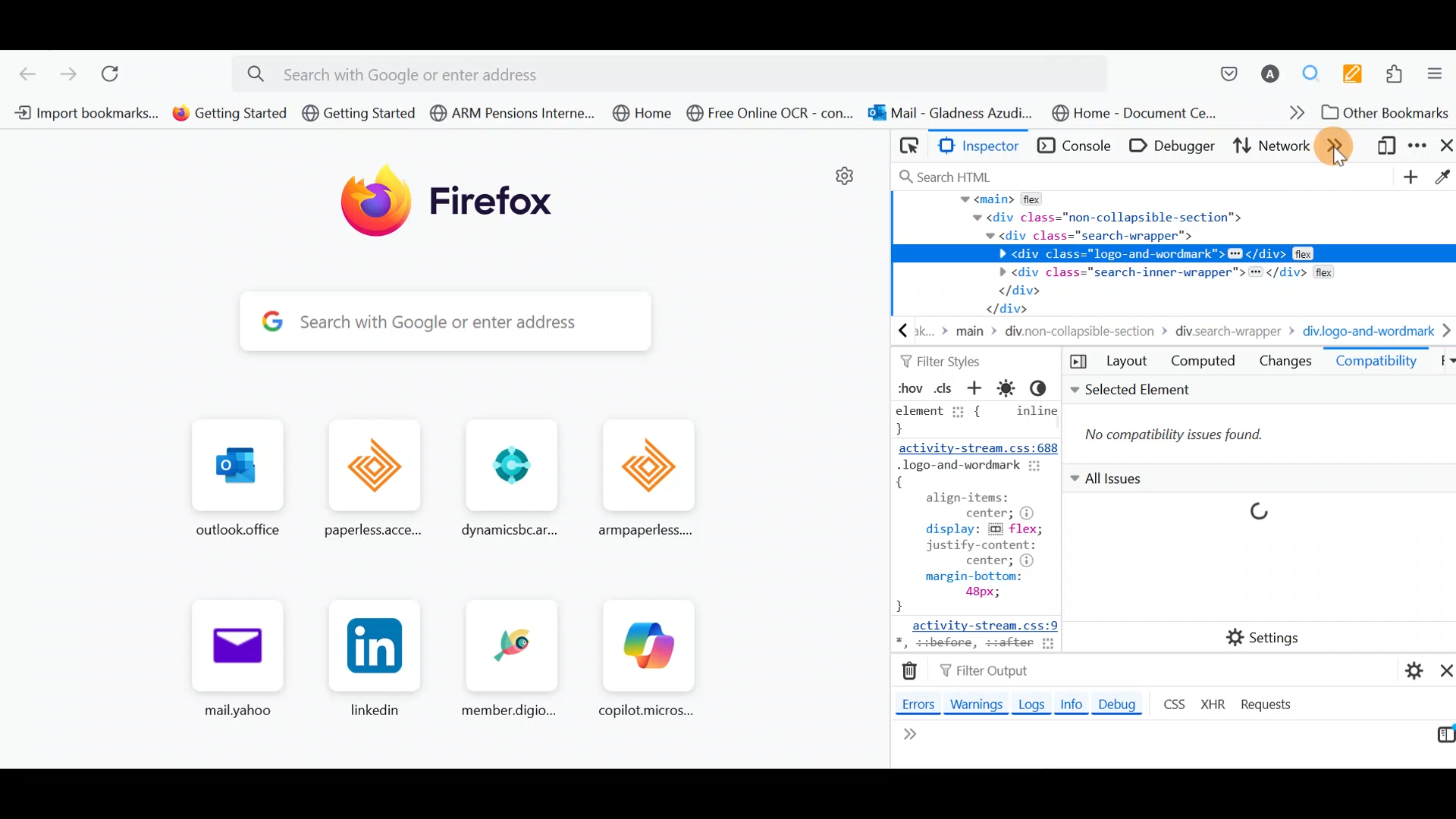 This screenshot has width=1456, height=819. I want to click on Compatibility, so click(1377, 365).